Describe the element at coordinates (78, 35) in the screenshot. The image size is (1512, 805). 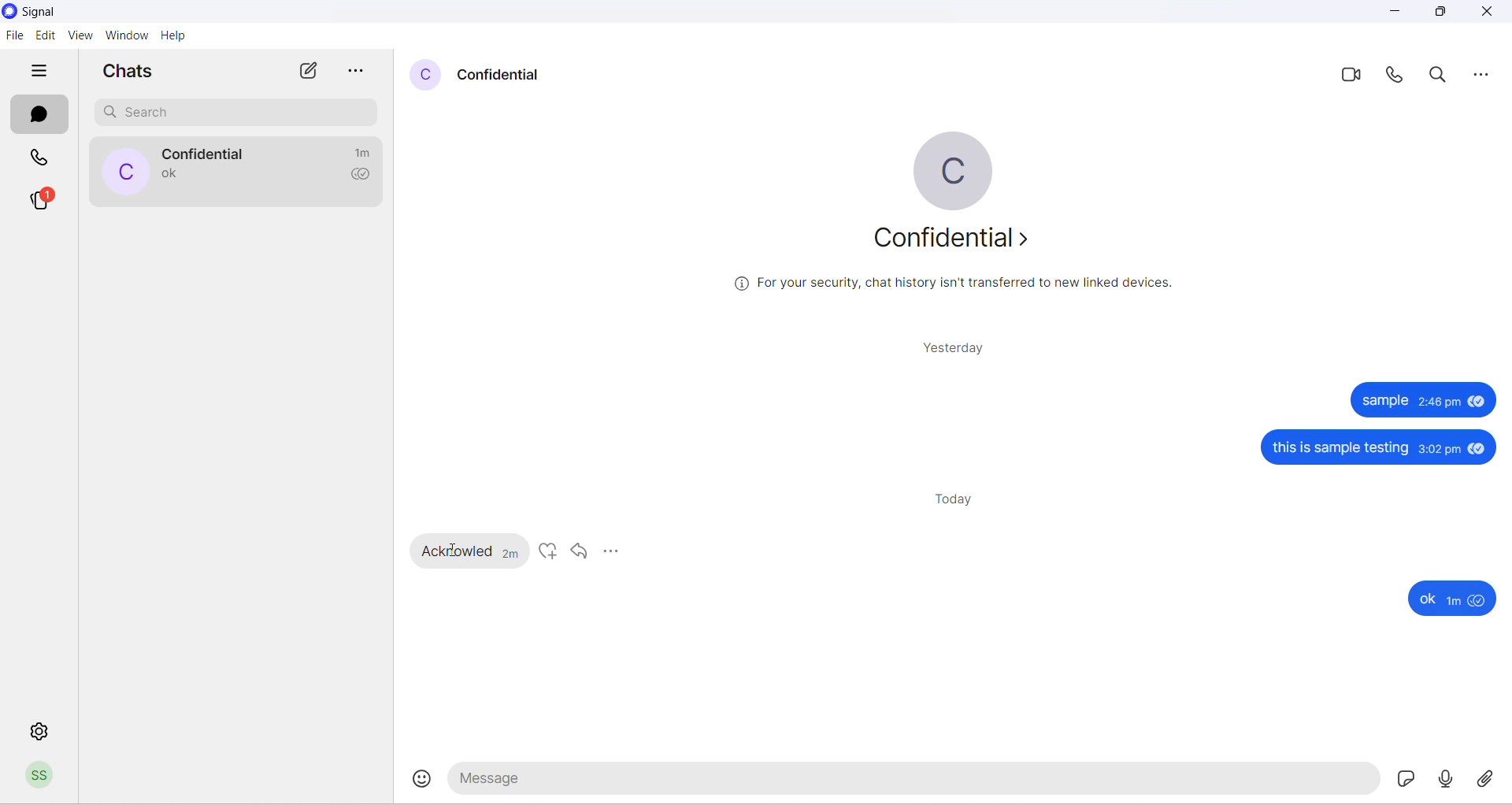
I see `view` at that location.